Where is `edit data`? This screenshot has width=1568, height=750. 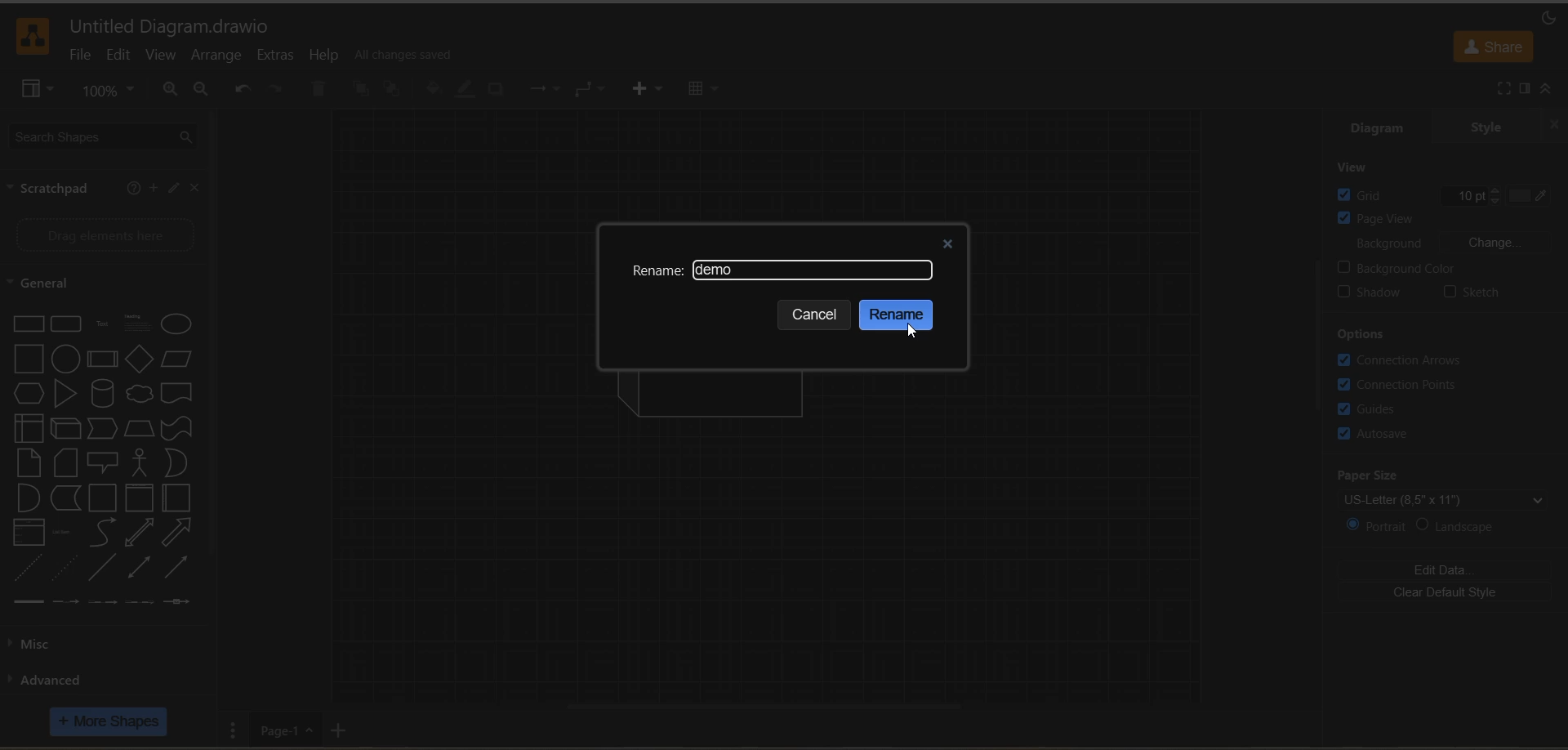 edit data is located at coordinates (1449, 569).